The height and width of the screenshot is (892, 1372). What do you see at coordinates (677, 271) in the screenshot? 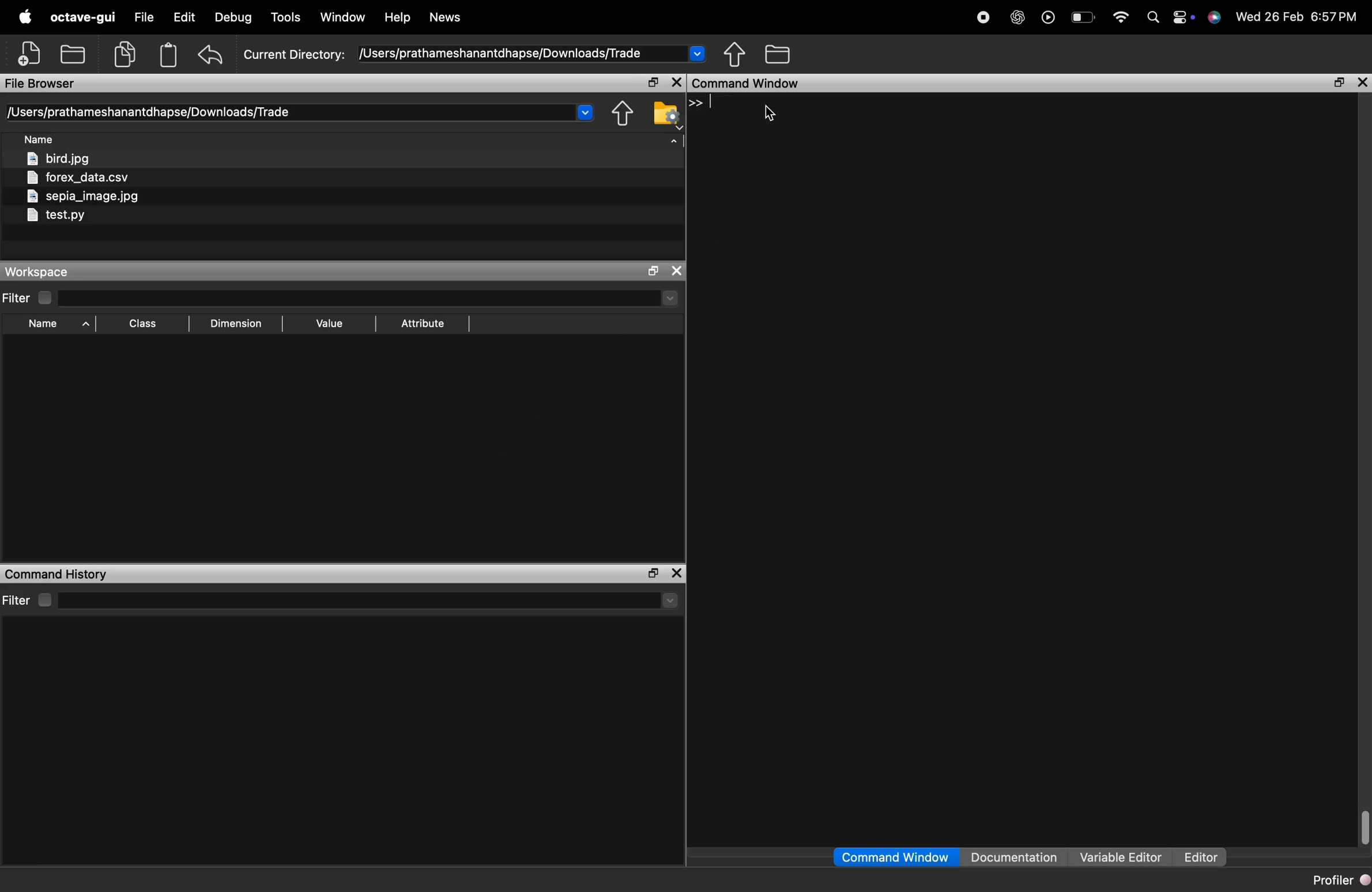
I see `close` at bounding box center [677, 271].